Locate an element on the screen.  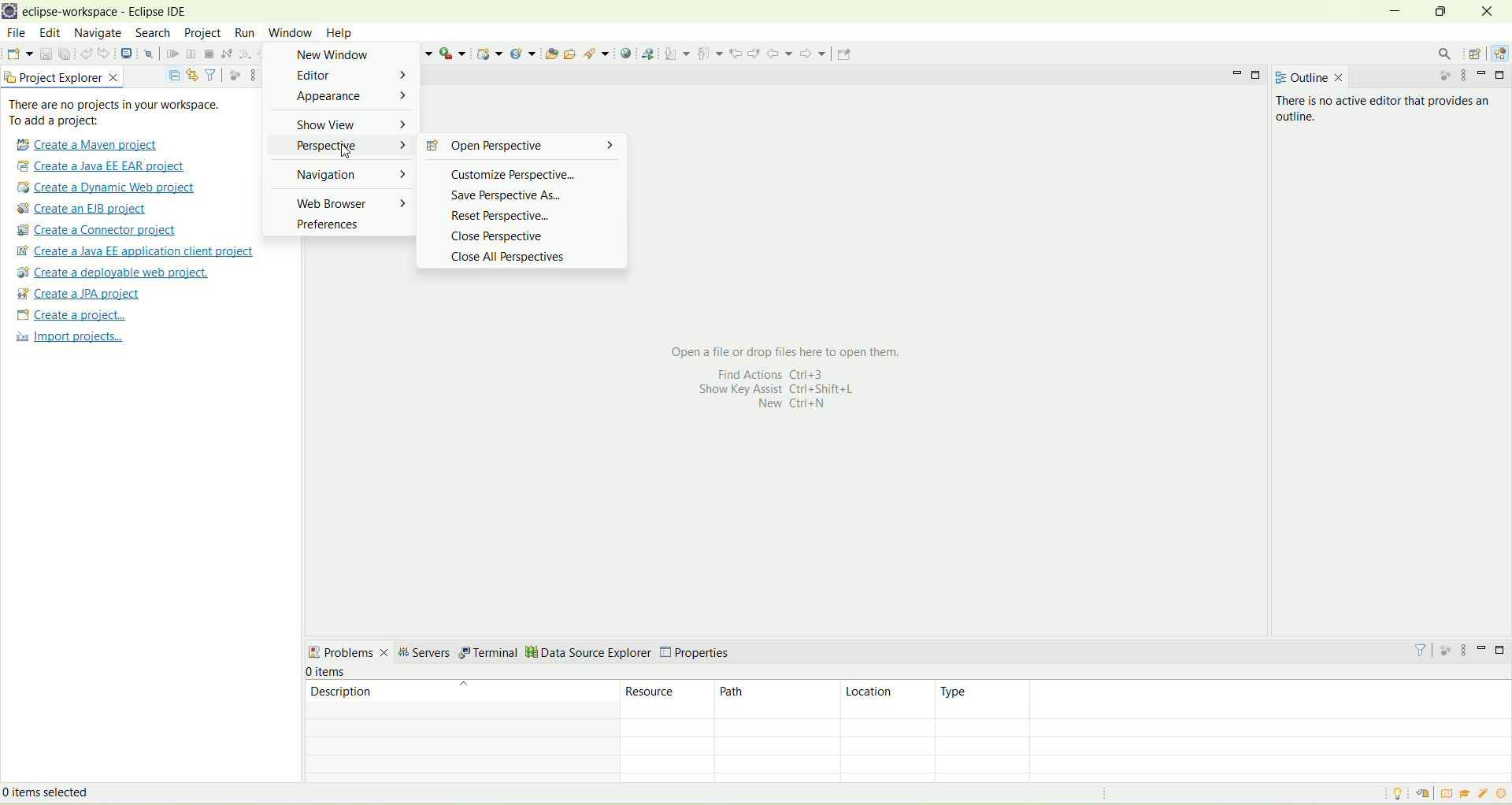
search is located at coordinates (150, 34).